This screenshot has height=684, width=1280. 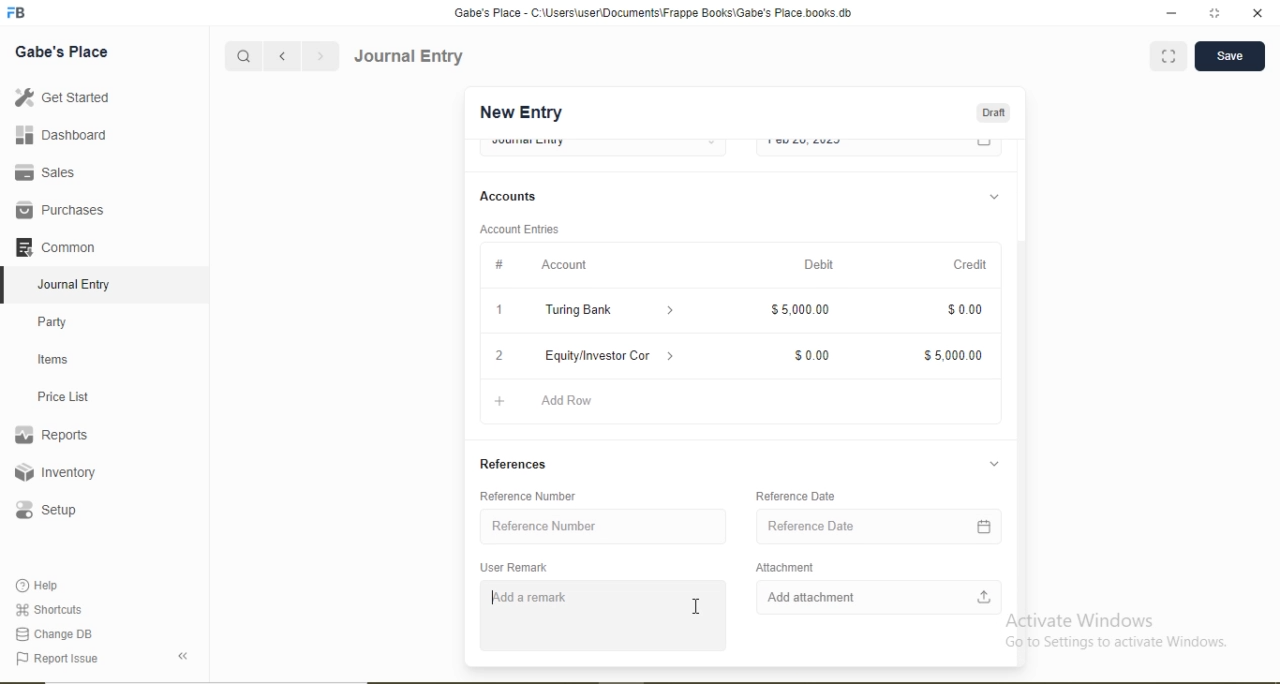 What do you see at coordinates (1169, 55) in the screenshot?
I see `Full screen` at bounding box center [1169, 55].